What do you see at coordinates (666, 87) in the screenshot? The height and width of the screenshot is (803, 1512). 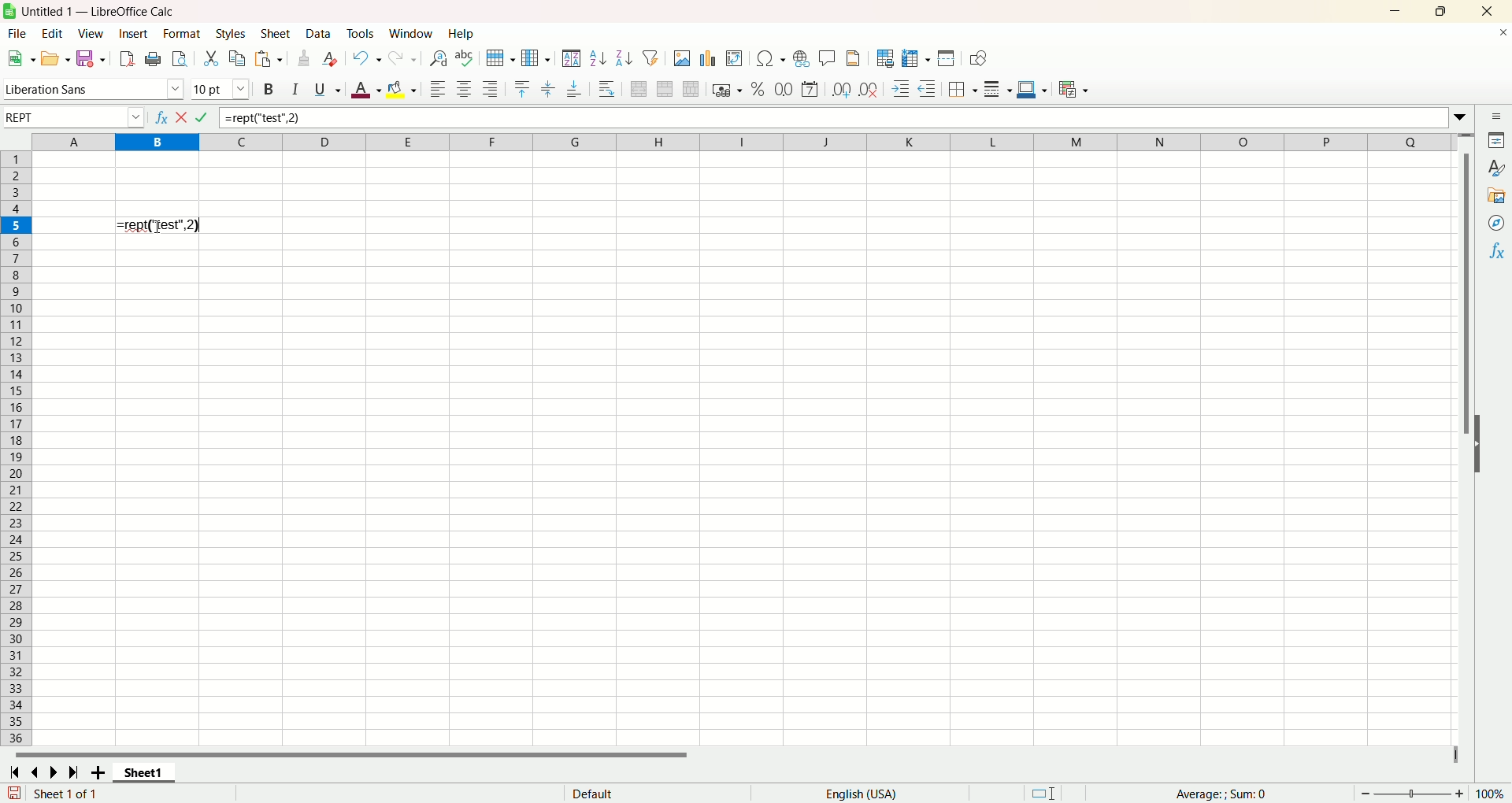 I see `merge cells` at bounding box center [666, 87].